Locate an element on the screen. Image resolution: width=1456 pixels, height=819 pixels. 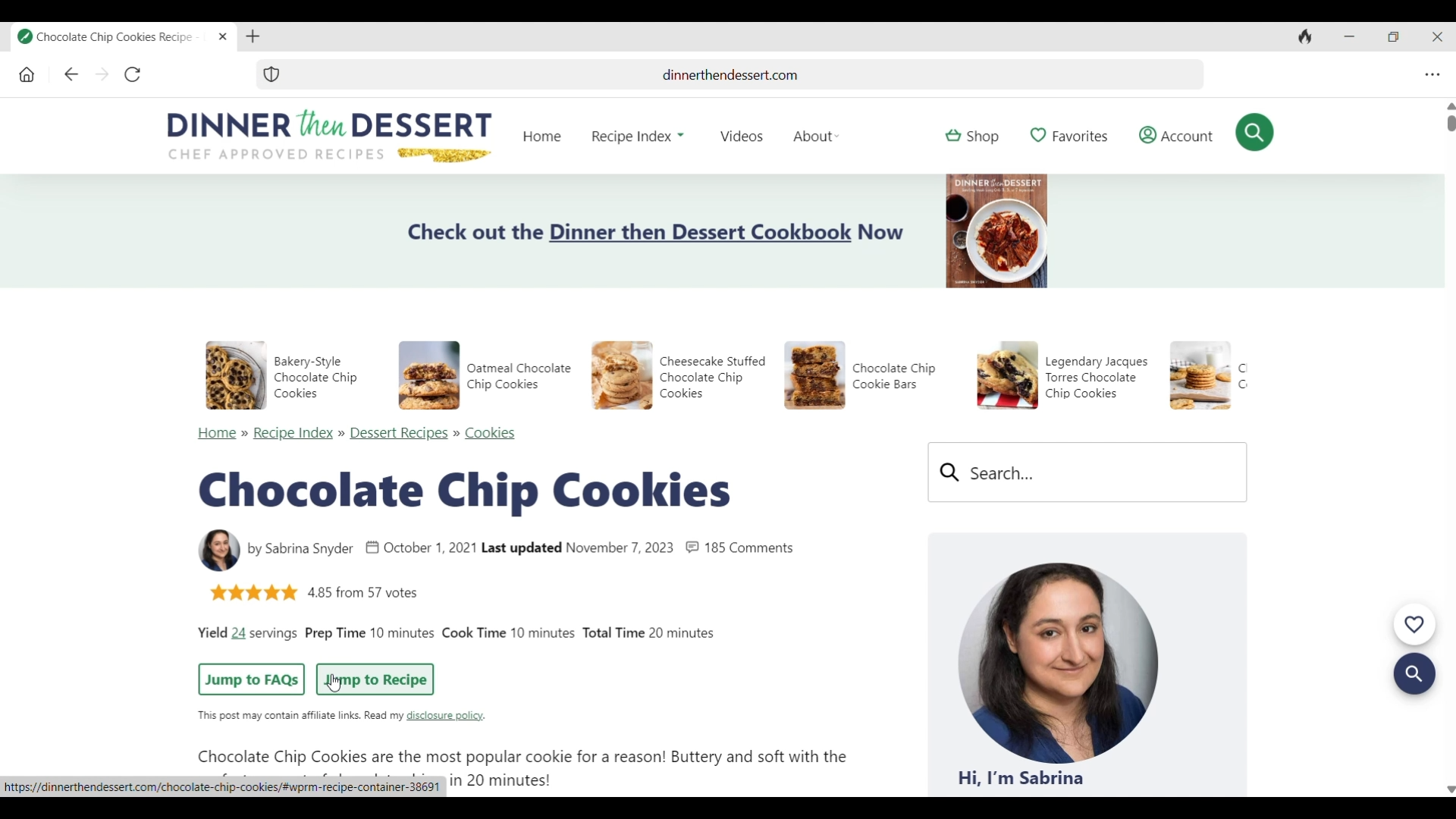
Minimize is located at coordinates (1346, 37).